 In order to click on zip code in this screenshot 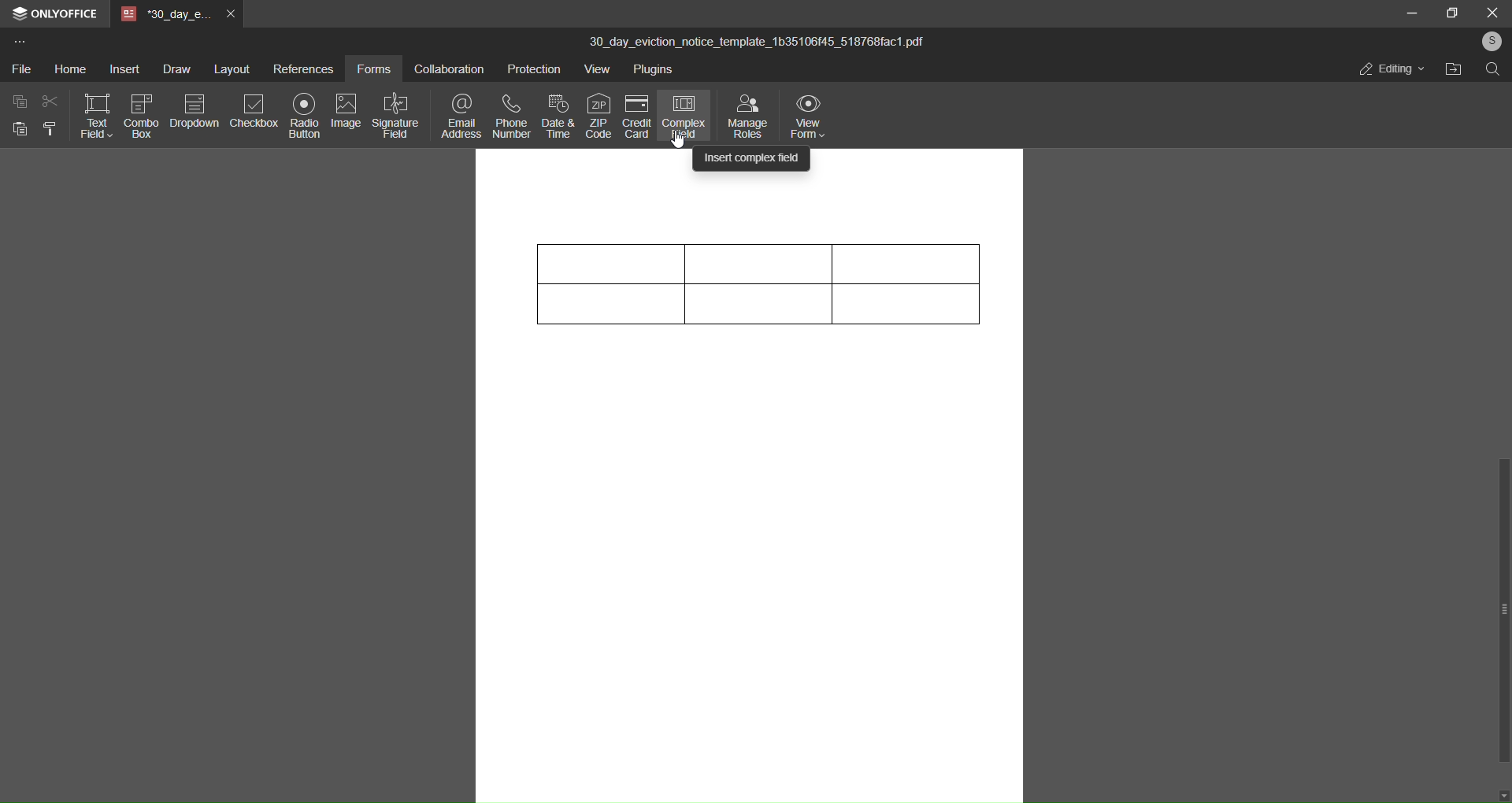, I will do `click(598, 113)`.